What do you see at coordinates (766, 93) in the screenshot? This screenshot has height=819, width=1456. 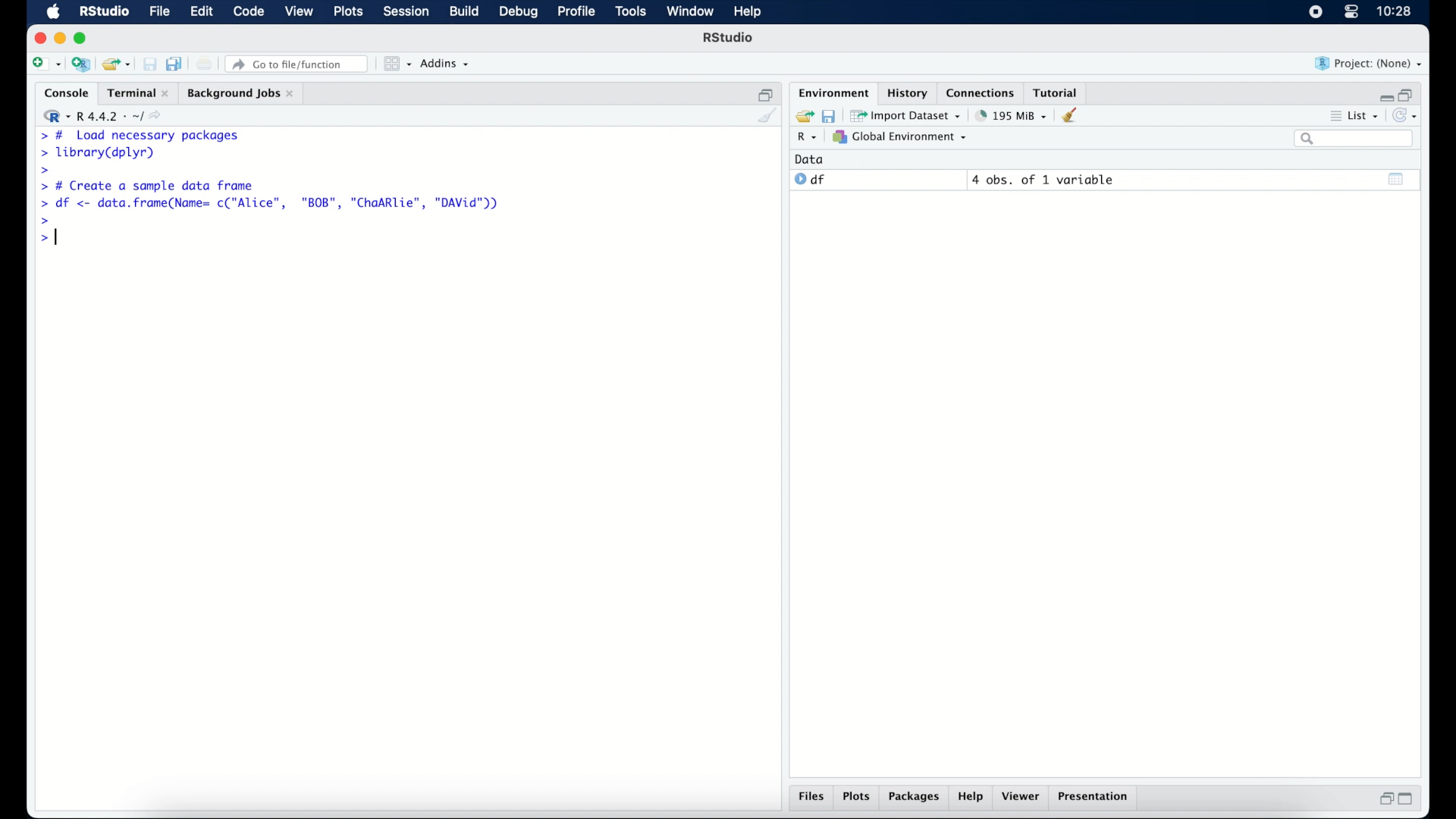 I see `restore down` at bounding box center [766, 93].